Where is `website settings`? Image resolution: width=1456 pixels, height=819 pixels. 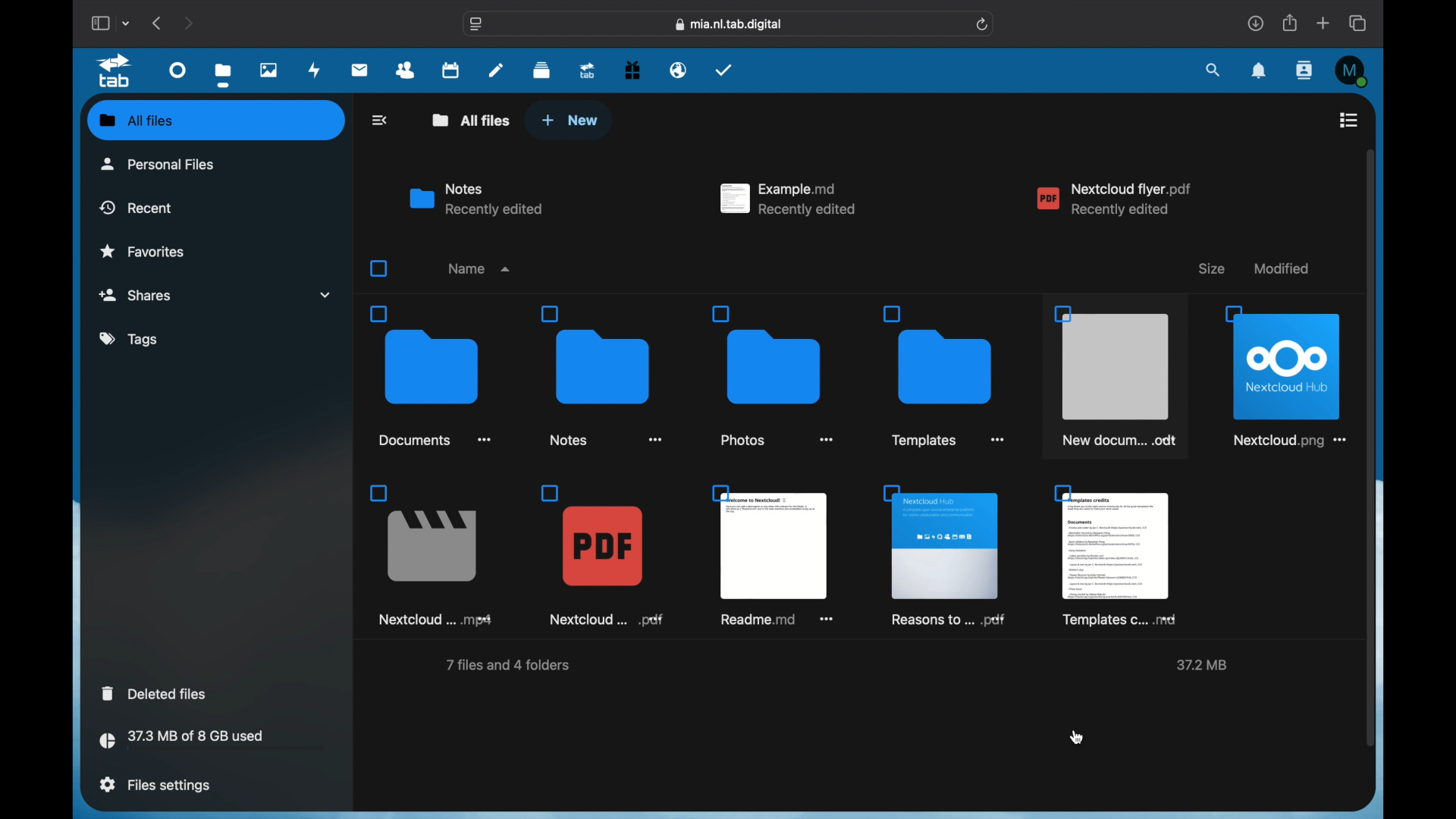
website settings is located at coordinates (476, 24).